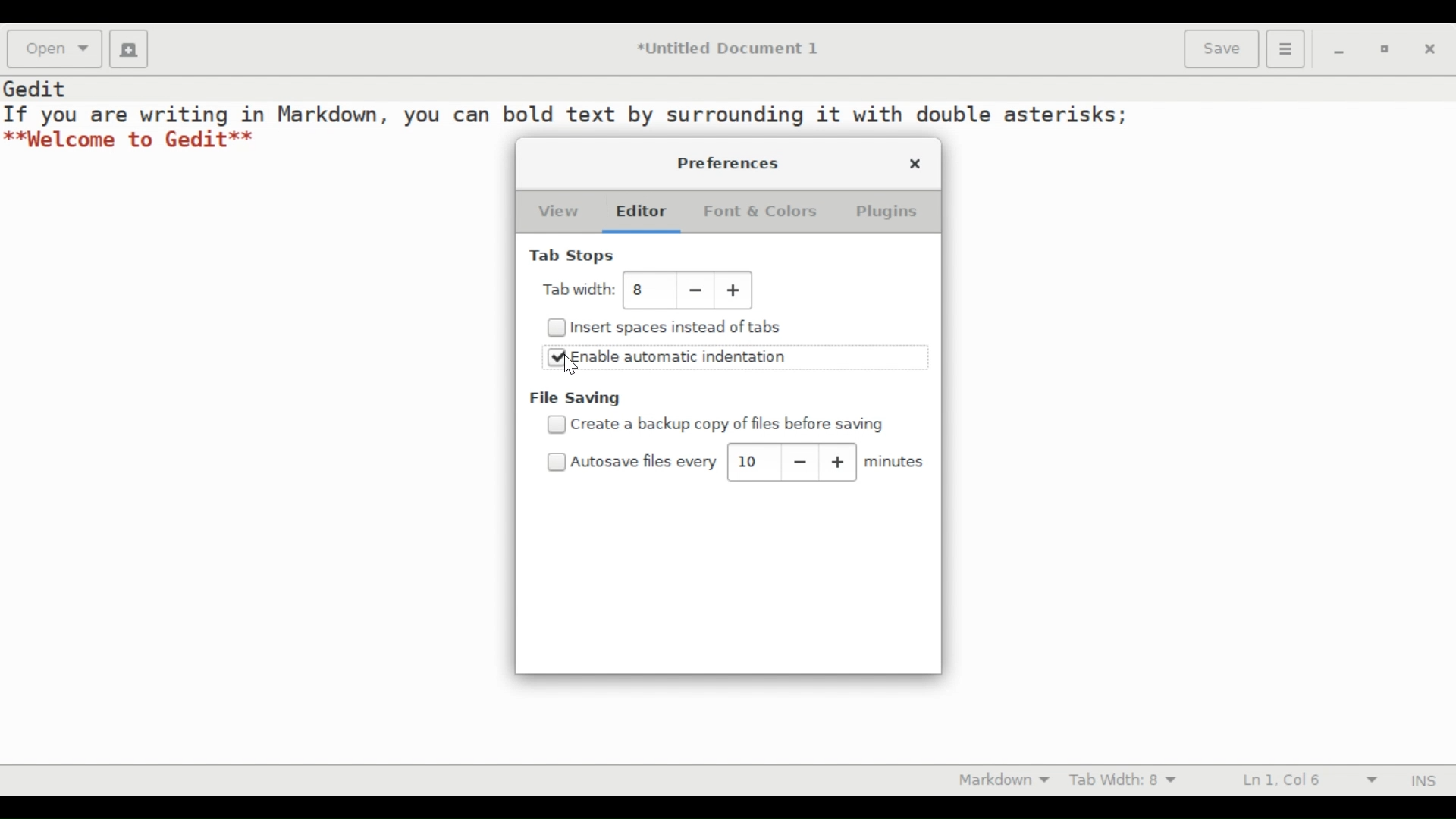  What do you see at coordinates (799, 462) in the screenshot?
I see `decrease autosave value` at bounding box center [799, 462].